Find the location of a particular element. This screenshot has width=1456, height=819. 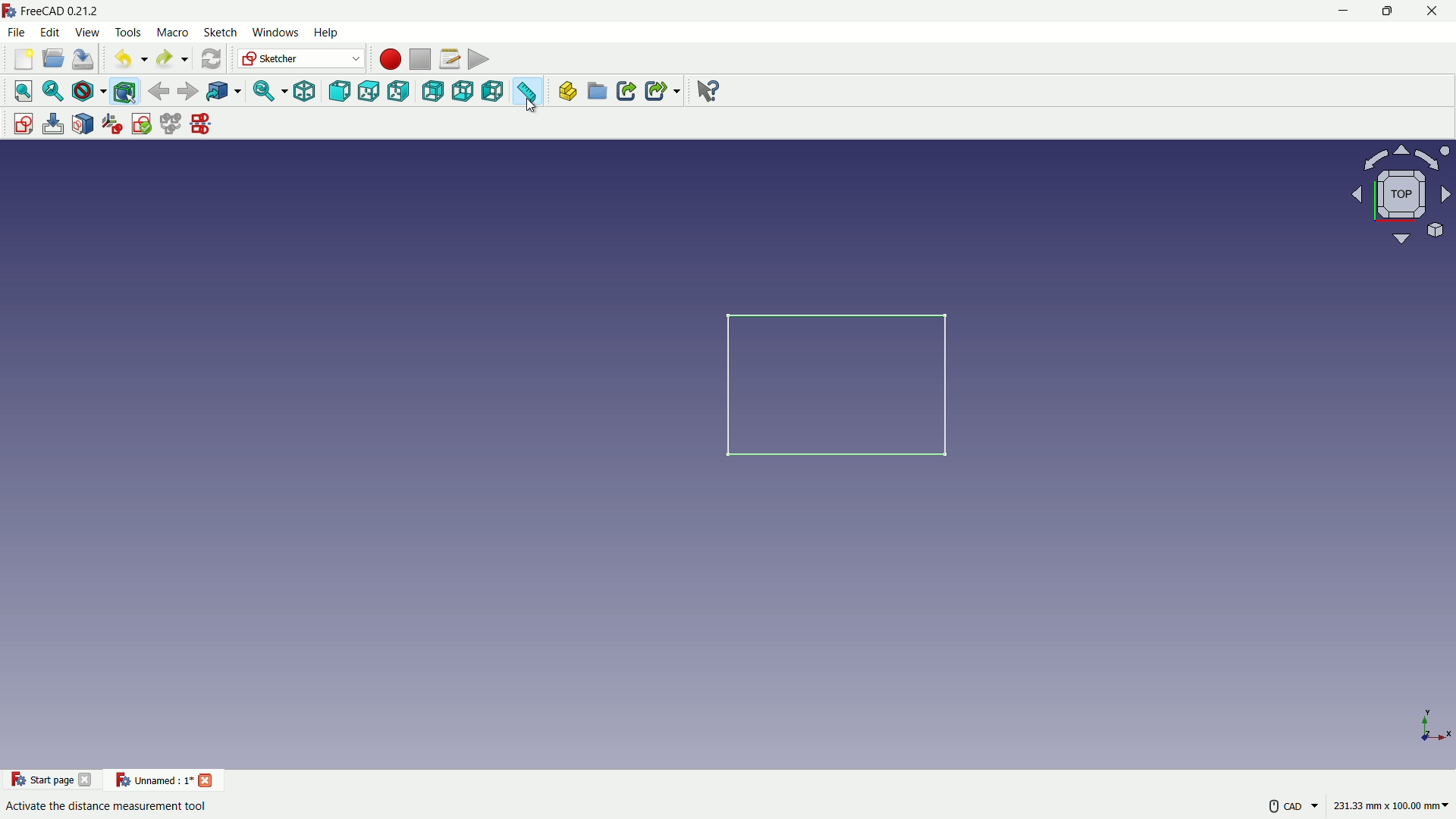

placement axes is located at coordinates (1433, 725).